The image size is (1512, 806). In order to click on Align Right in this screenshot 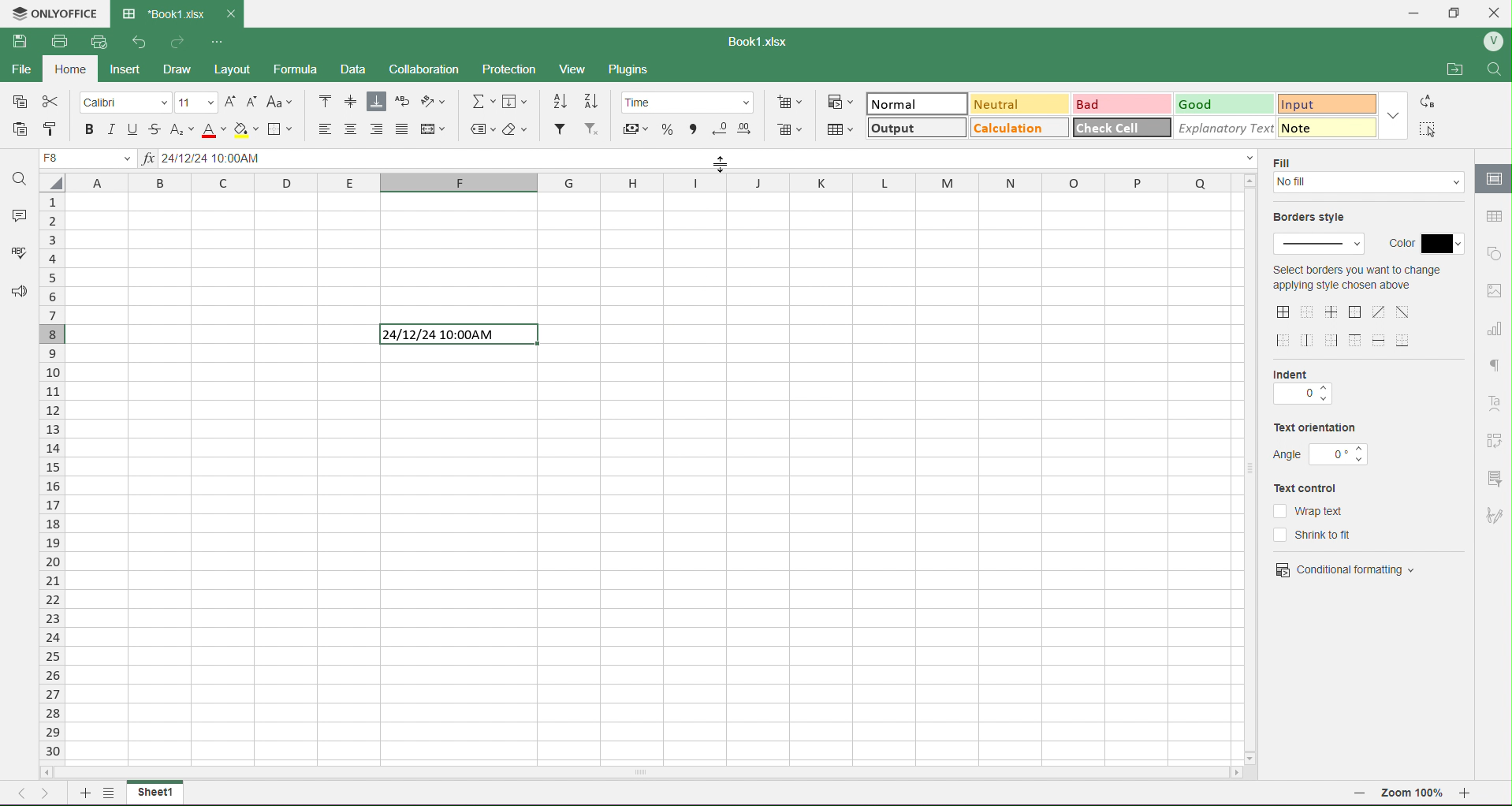, I will do `click(378, 129)`.